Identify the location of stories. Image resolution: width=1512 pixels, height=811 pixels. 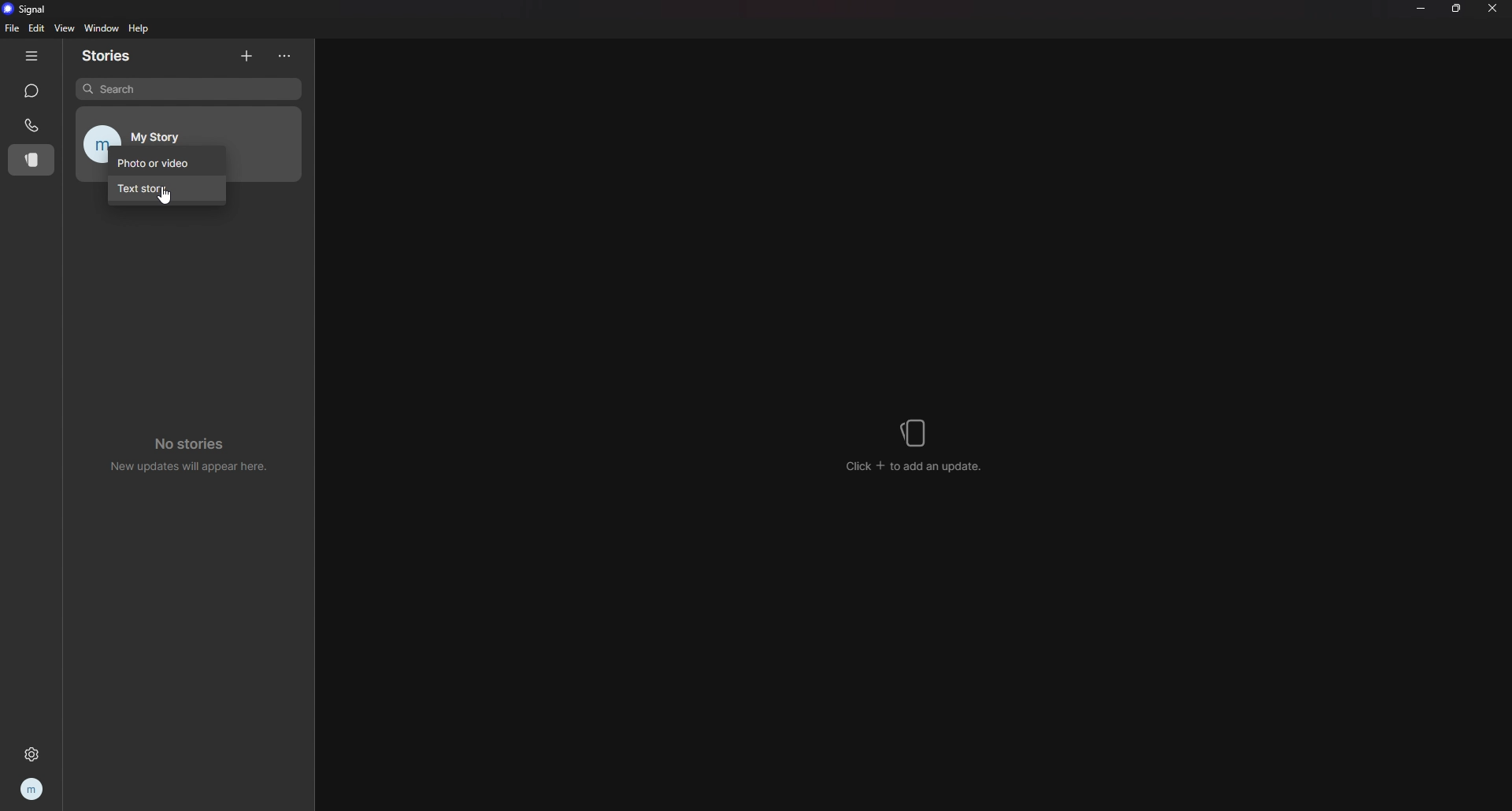
(114, 56).